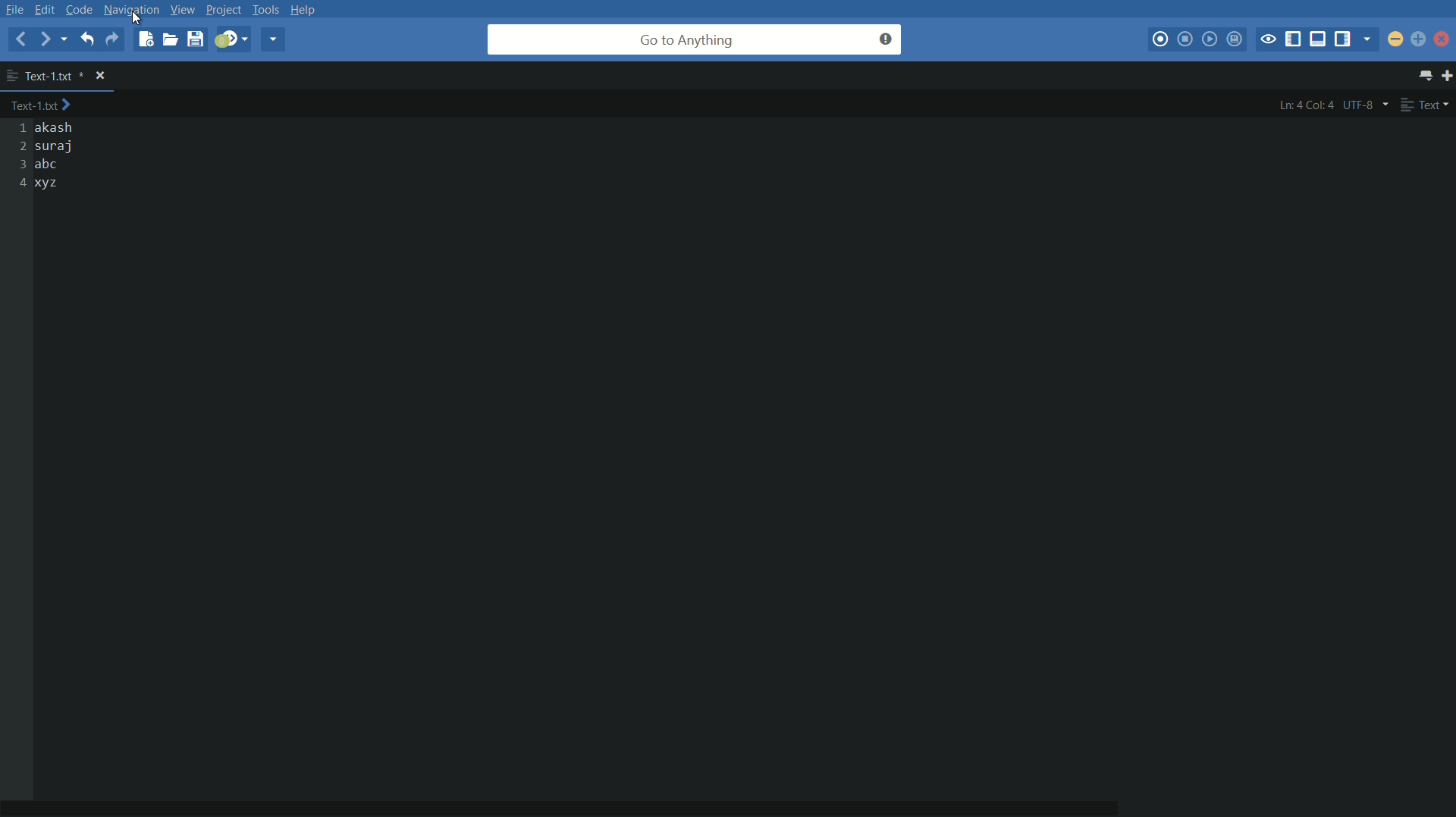 The width and height of the screenshot is (1456, 817). I want to click on undo, so click(86, 39).